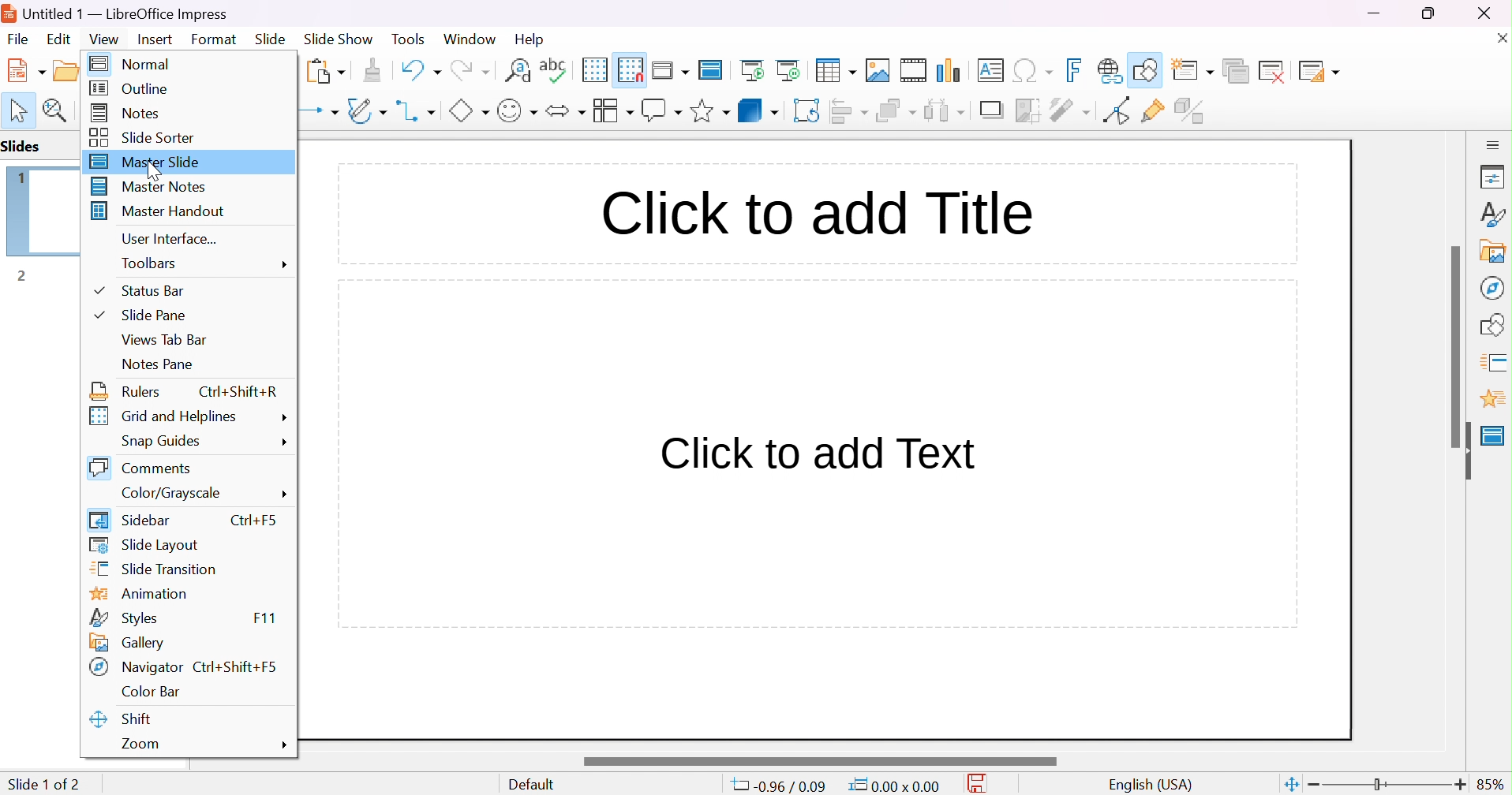 The height and width of the screenshot is (795, 1512). Describe the element at coordinates (990, 69) in the screenshot. I see `insert text box` at that location.